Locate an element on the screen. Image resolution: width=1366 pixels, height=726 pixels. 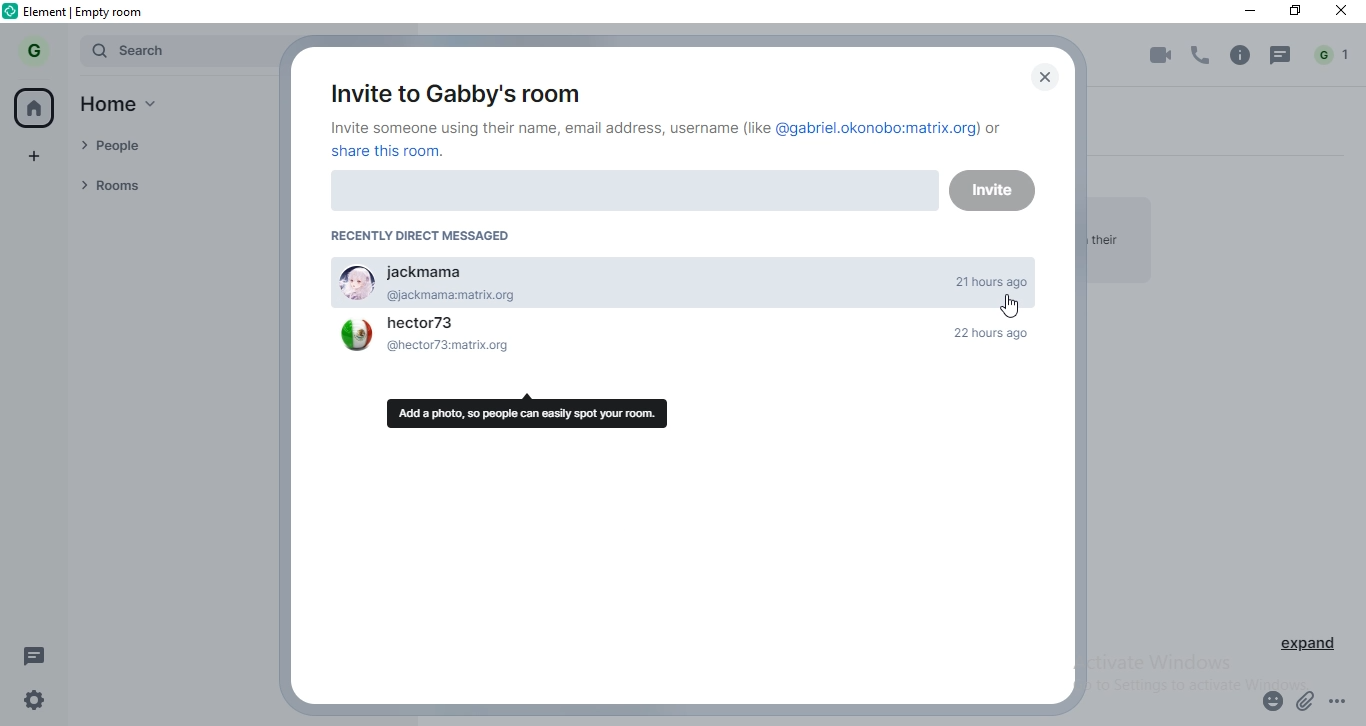
people is located at coordinates (163, 148).